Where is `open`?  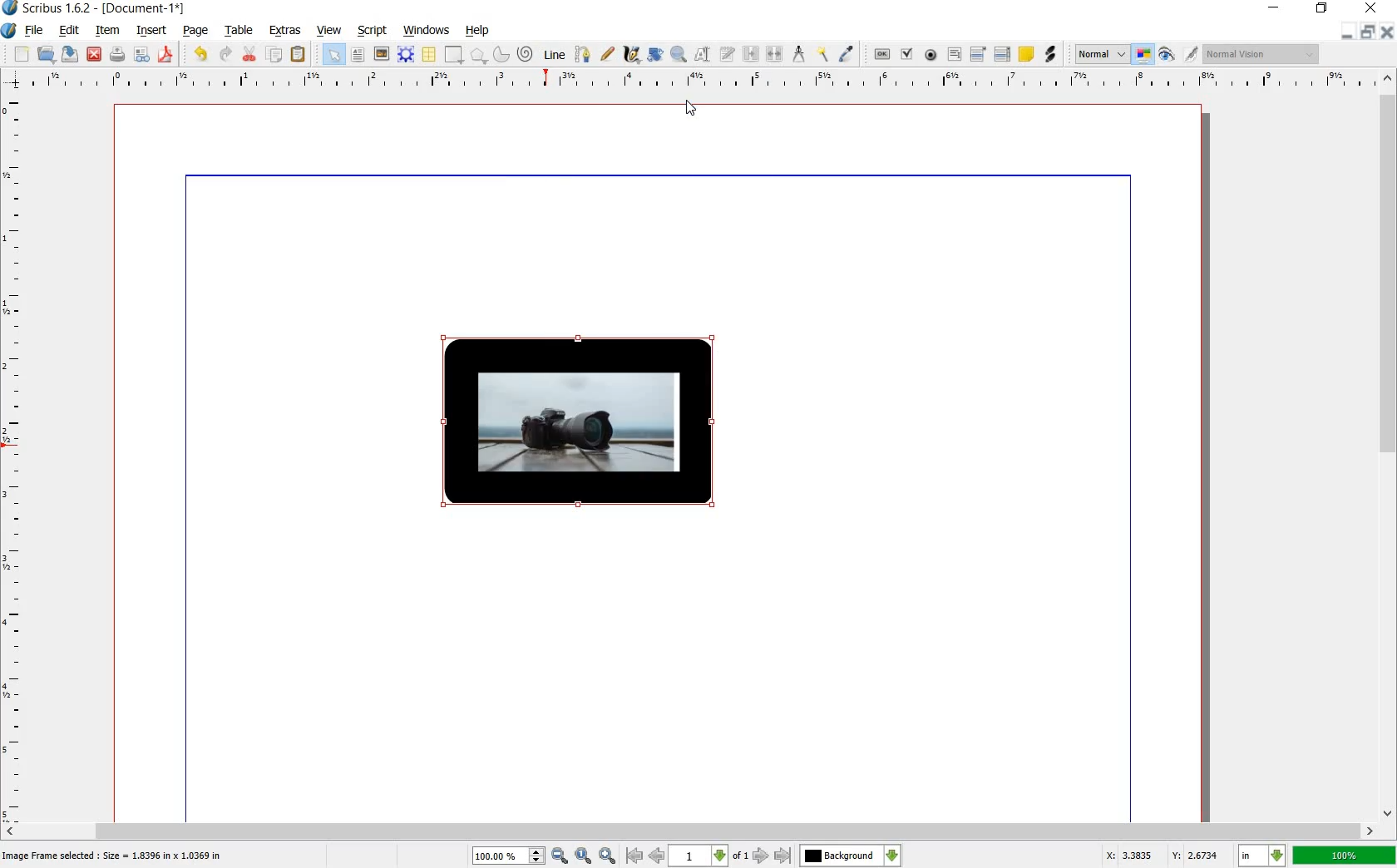 open is located at coordinates (46, 55).